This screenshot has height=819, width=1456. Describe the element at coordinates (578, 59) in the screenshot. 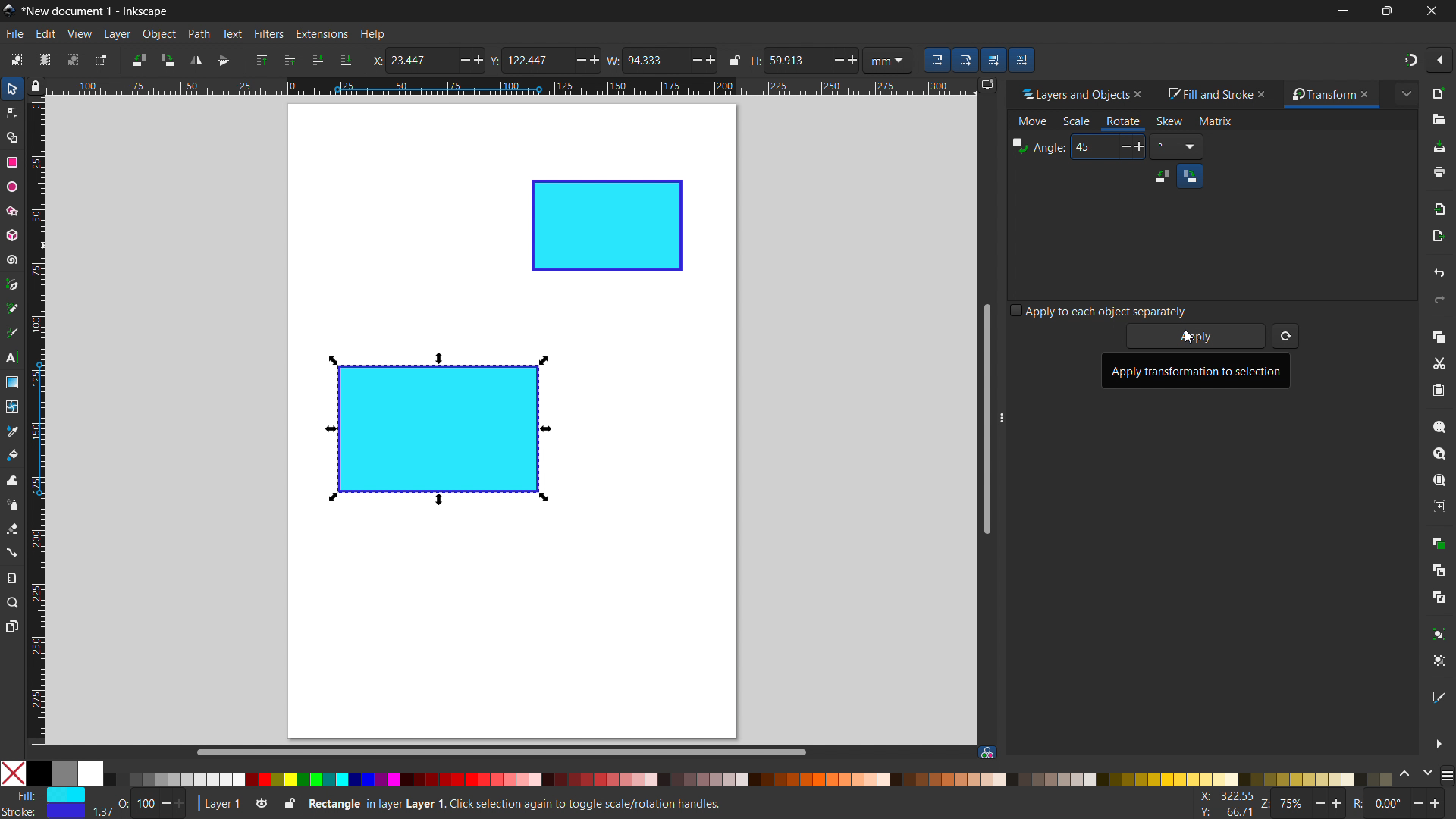

I see `Minus/ Decrease` at that location.